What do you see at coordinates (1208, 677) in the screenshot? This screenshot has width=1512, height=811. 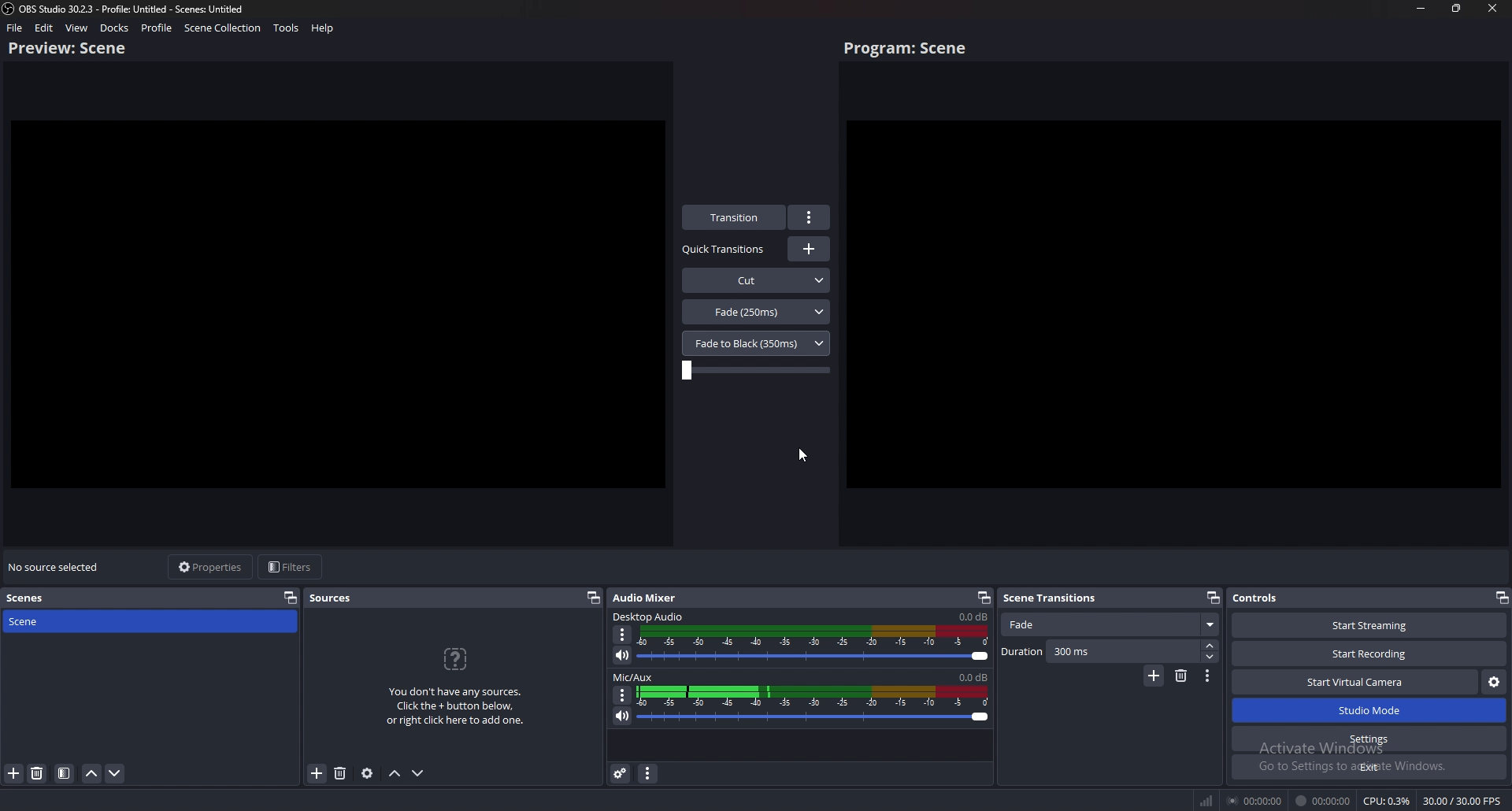 I see `Options` at bounding box center [1208, 677].